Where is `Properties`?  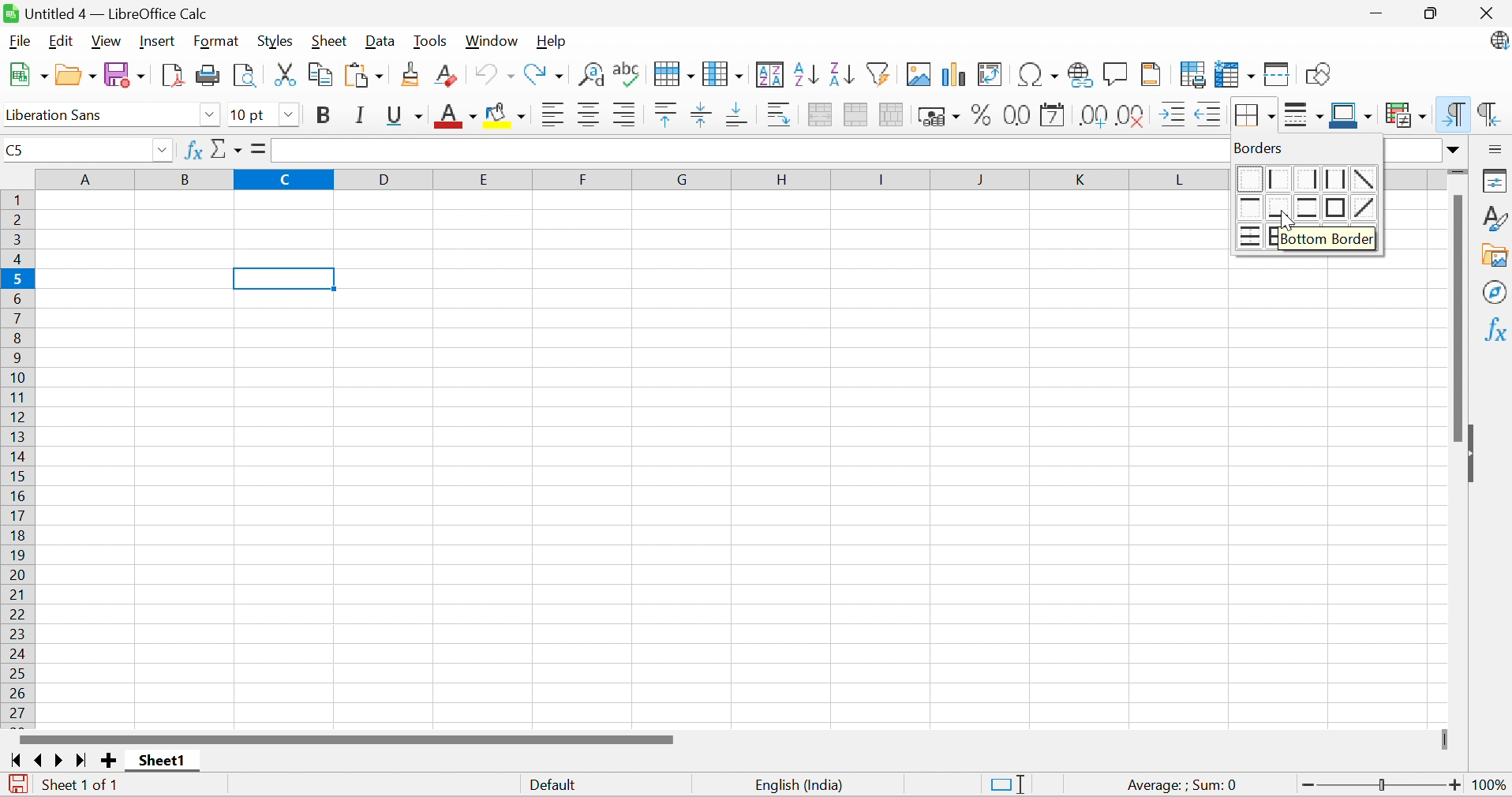 Properties is located at coordinates (1496, 179).